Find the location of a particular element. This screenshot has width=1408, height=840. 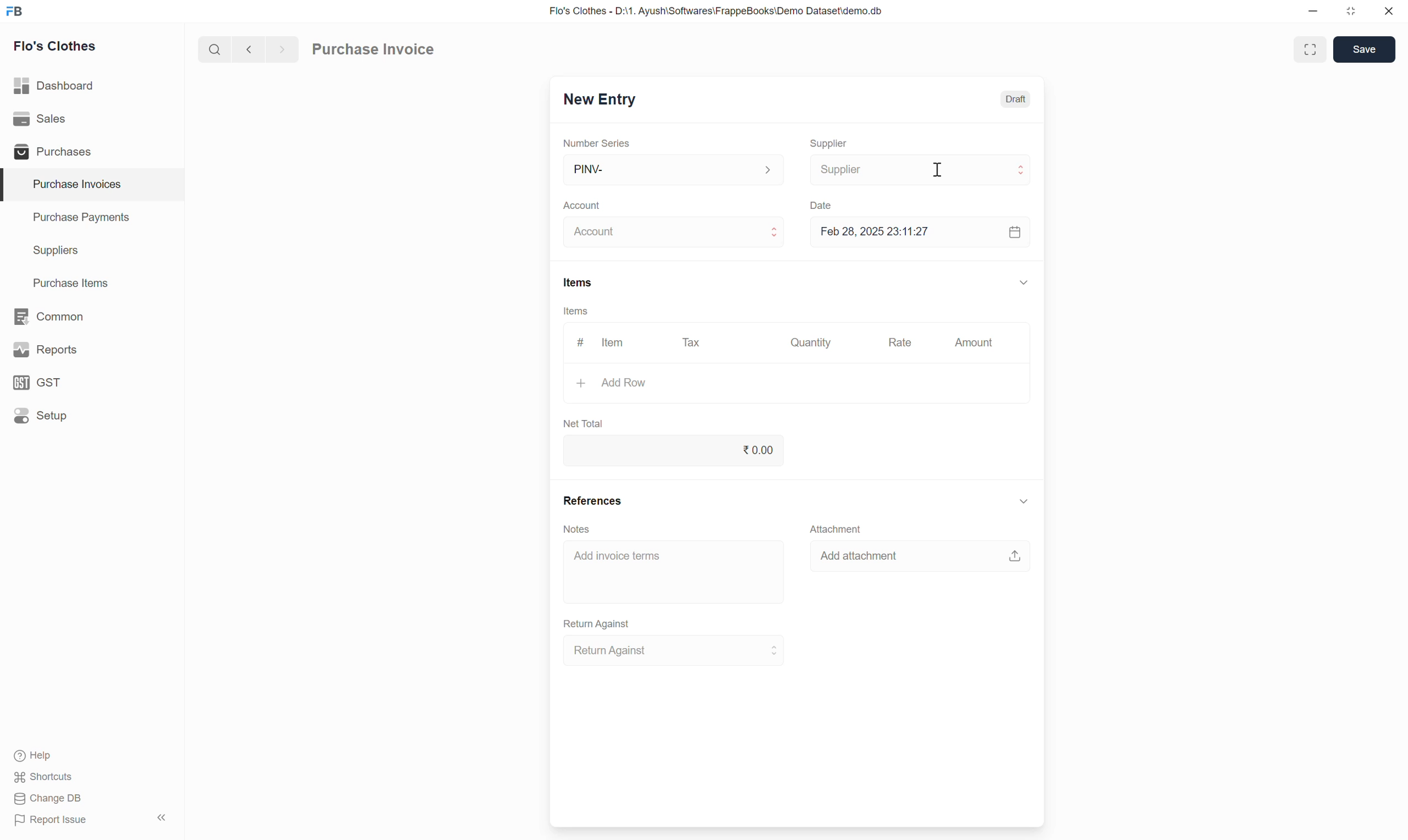

Supplier is located at coordinates (921, 170).